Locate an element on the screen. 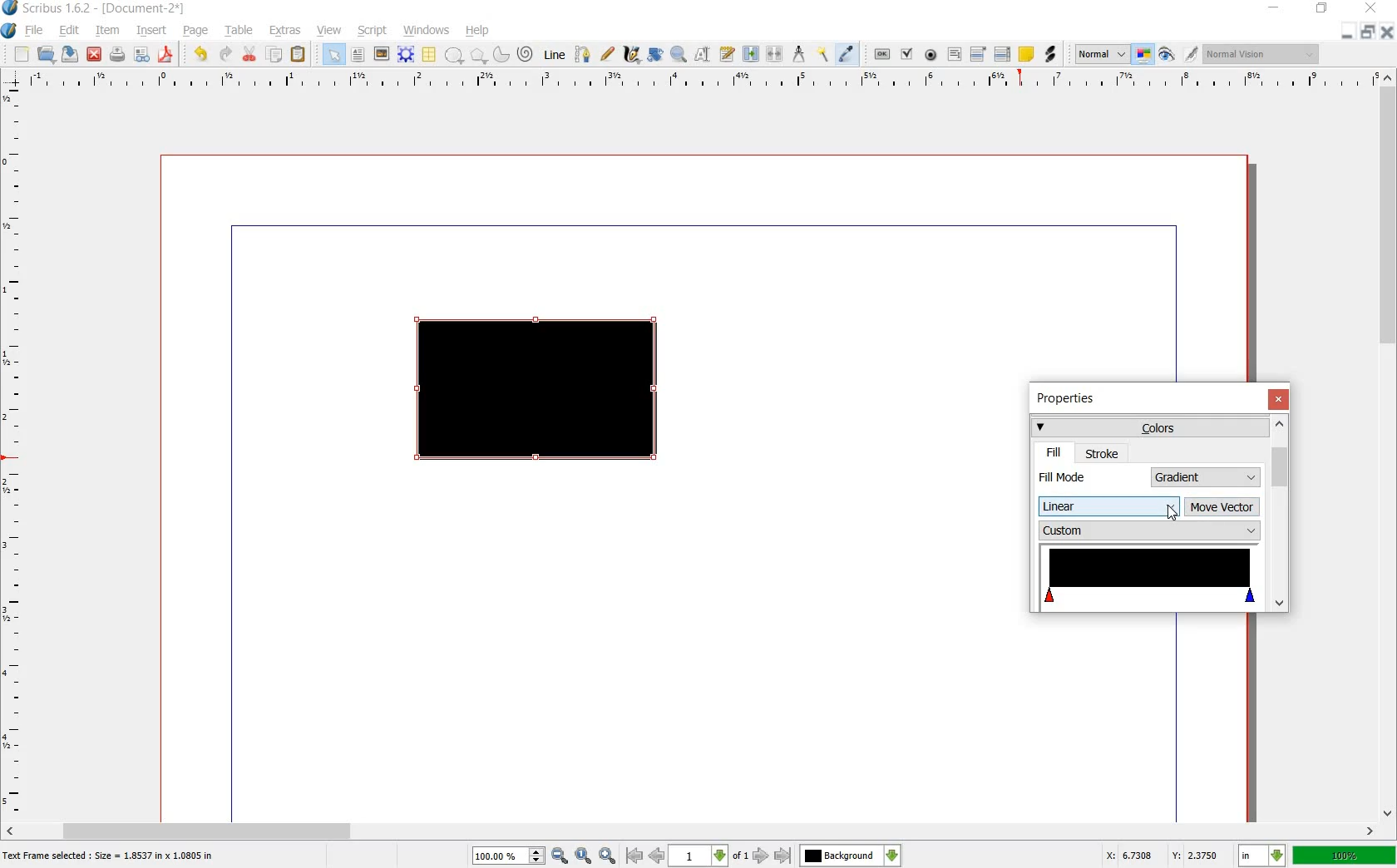 The height and width of the screenshot is (868, 1397). pdf list box is located at coordinates (1002, 53).